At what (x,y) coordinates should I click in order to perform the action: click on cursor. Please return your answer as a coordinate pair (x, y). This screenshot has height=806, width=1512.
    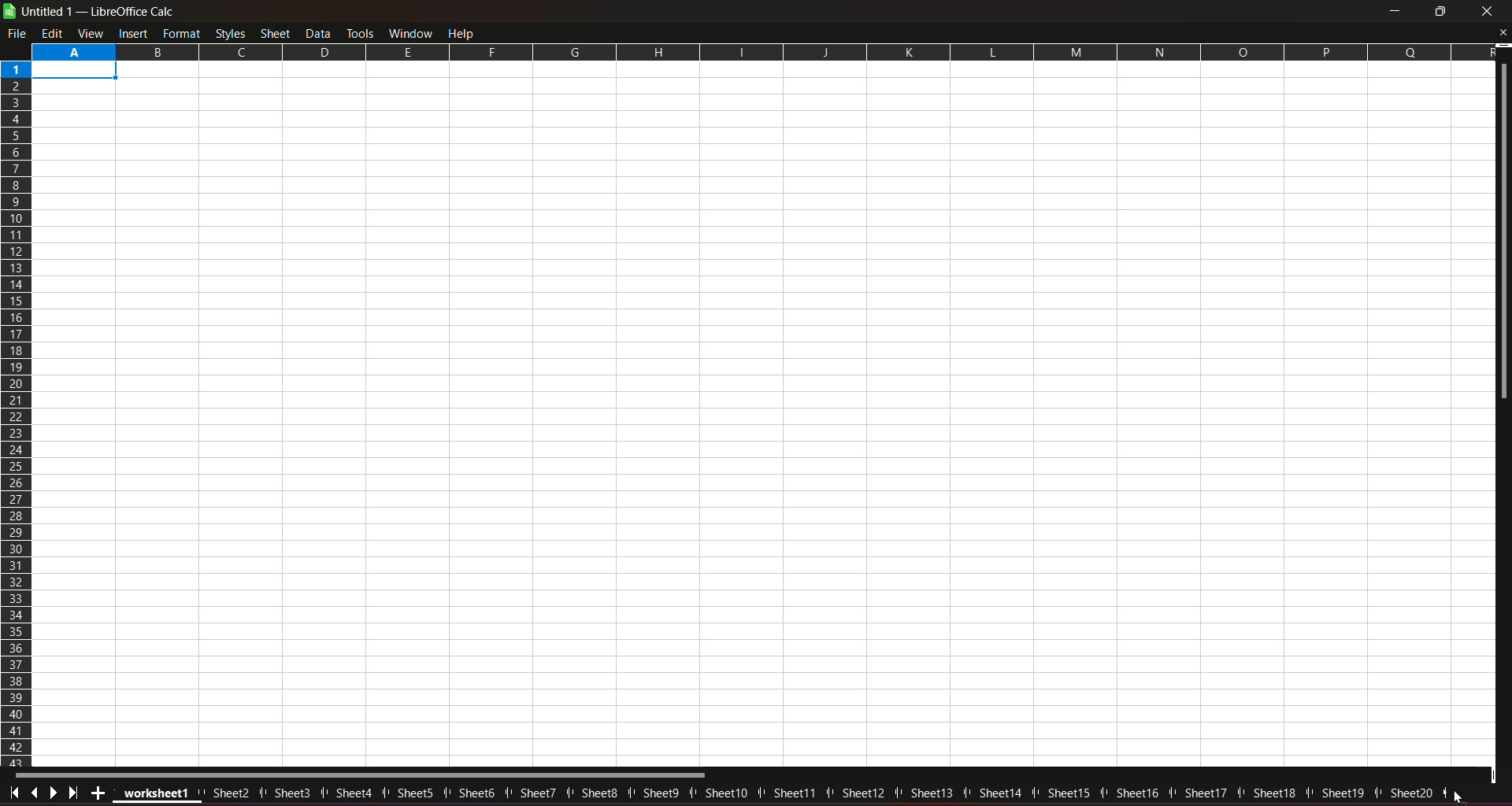
    Looking at the image, I should click on (1458, 796).